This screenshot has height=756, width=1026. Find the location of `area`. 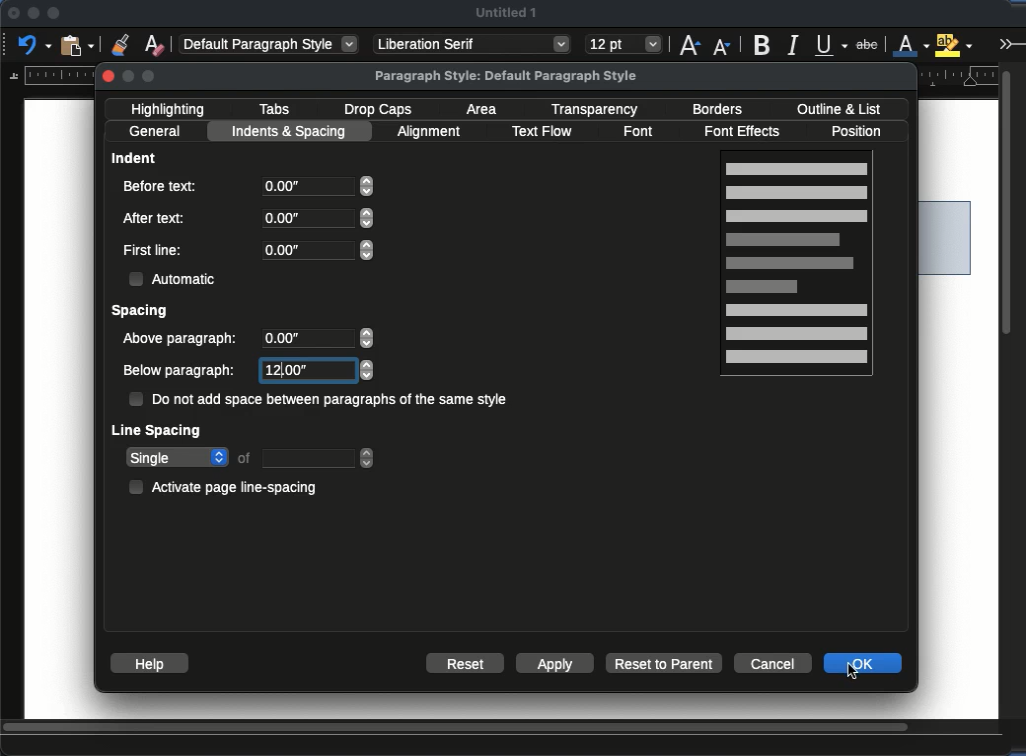

area is located at coordinates (485, 109).